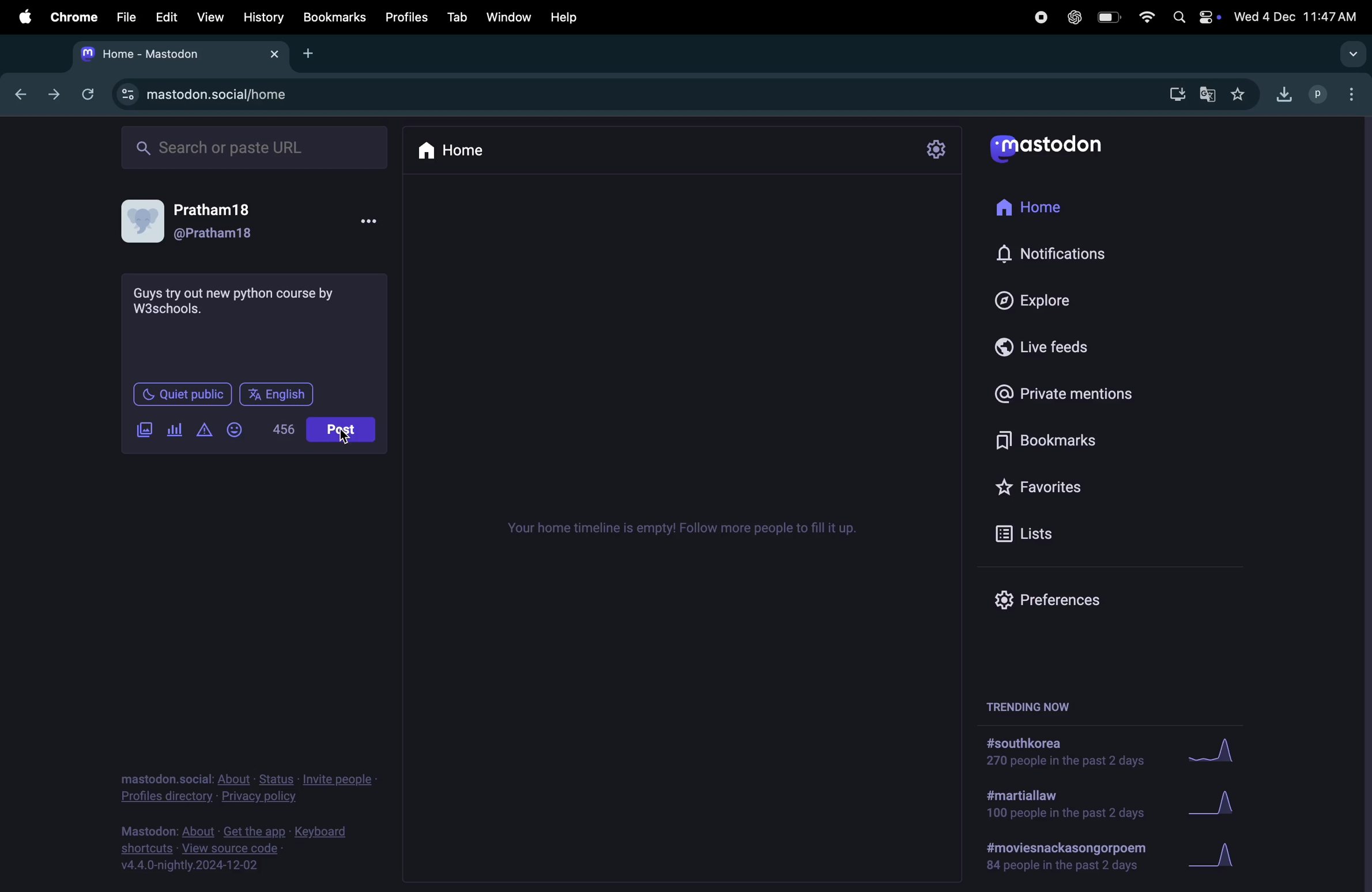  What do you see at coordinates (164, 18) in the screenshot?
I see `Edit` at bounding box center [164, 18].